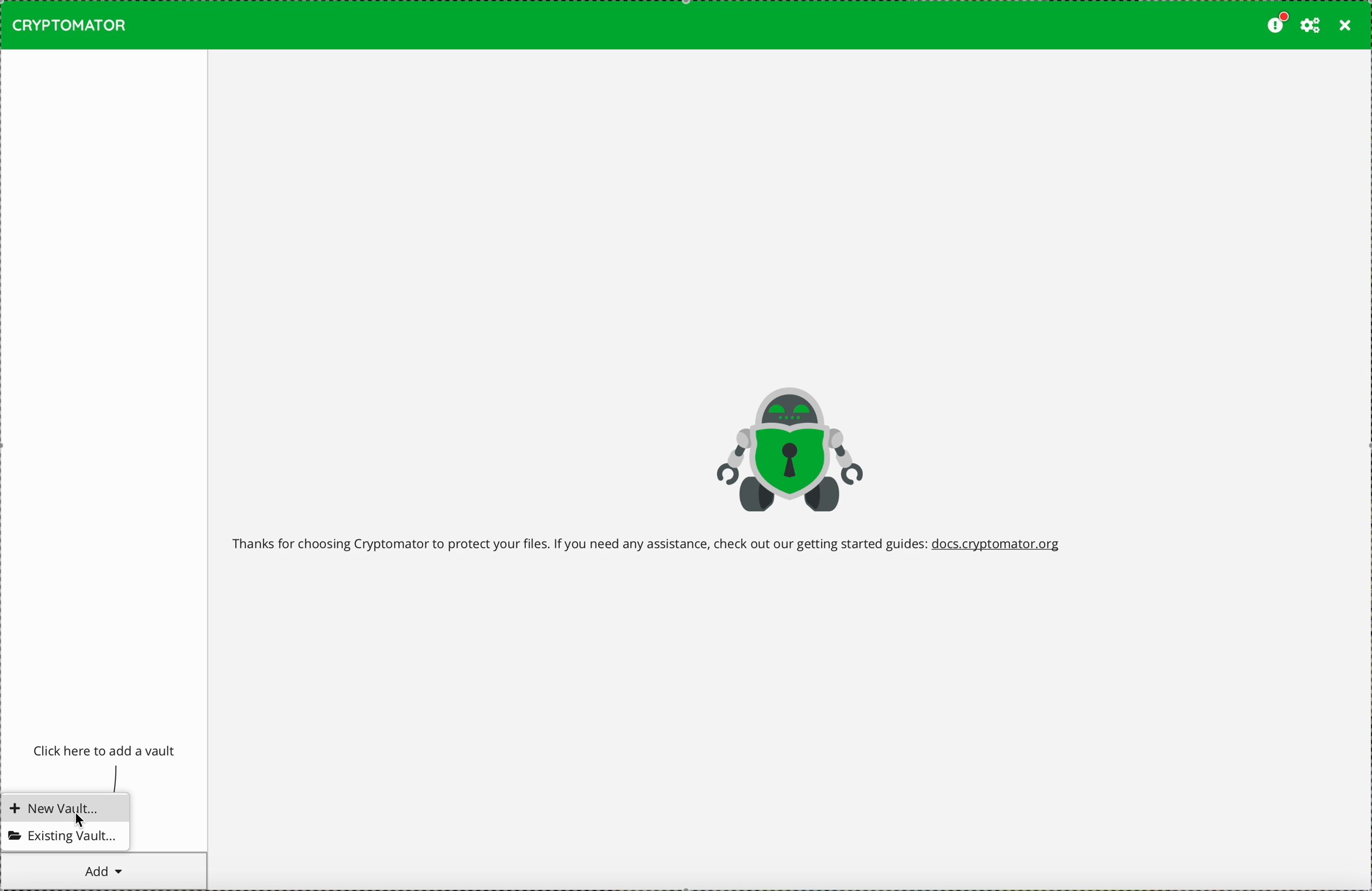 Image resolution: width=1372 pixels, height=891 pixels. What do you see at coordinates (69, 837) in the screenshot?
I see `existing vault` at bounding box center [69, 837].